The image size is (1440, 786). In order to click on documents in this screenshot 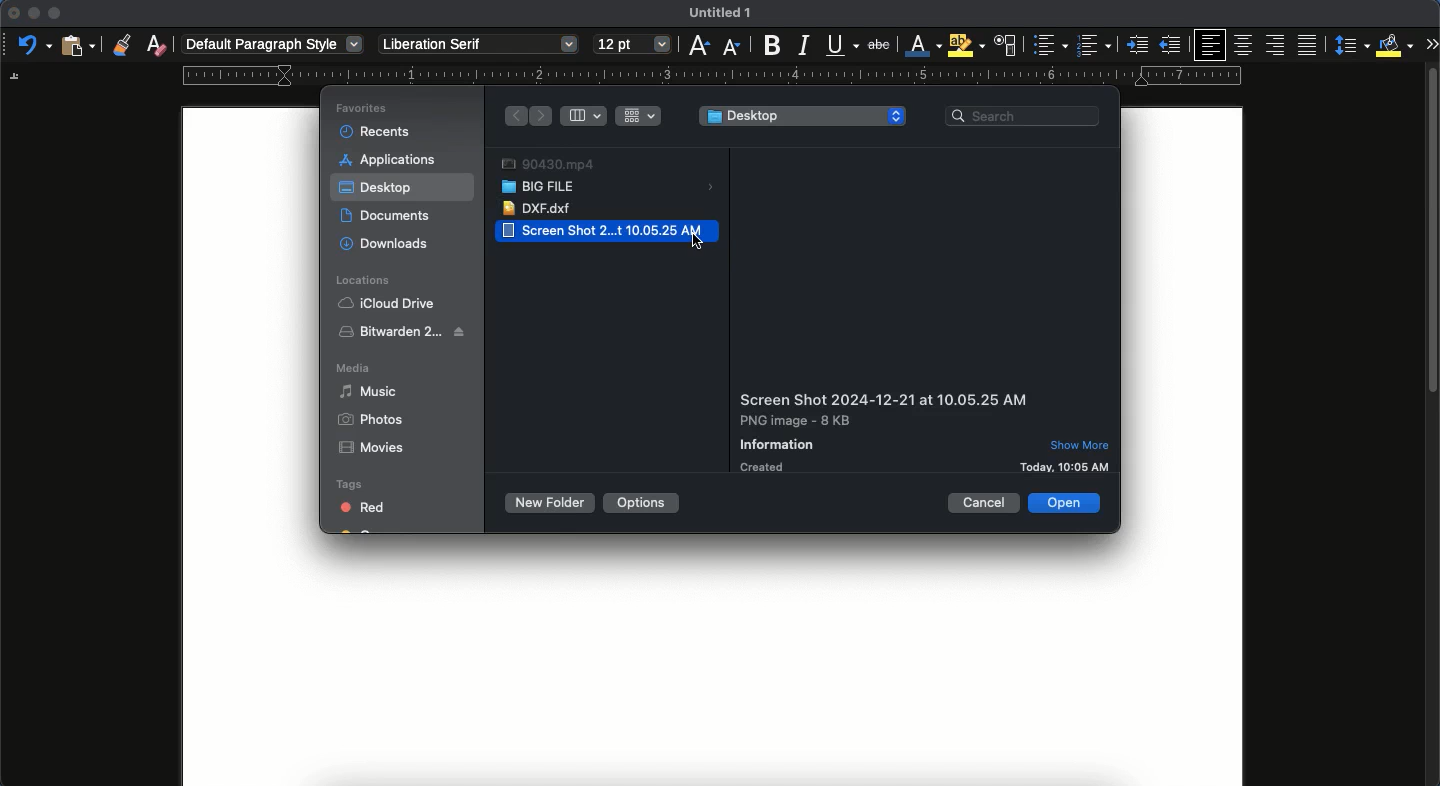, I will do `click(392, 215)`.